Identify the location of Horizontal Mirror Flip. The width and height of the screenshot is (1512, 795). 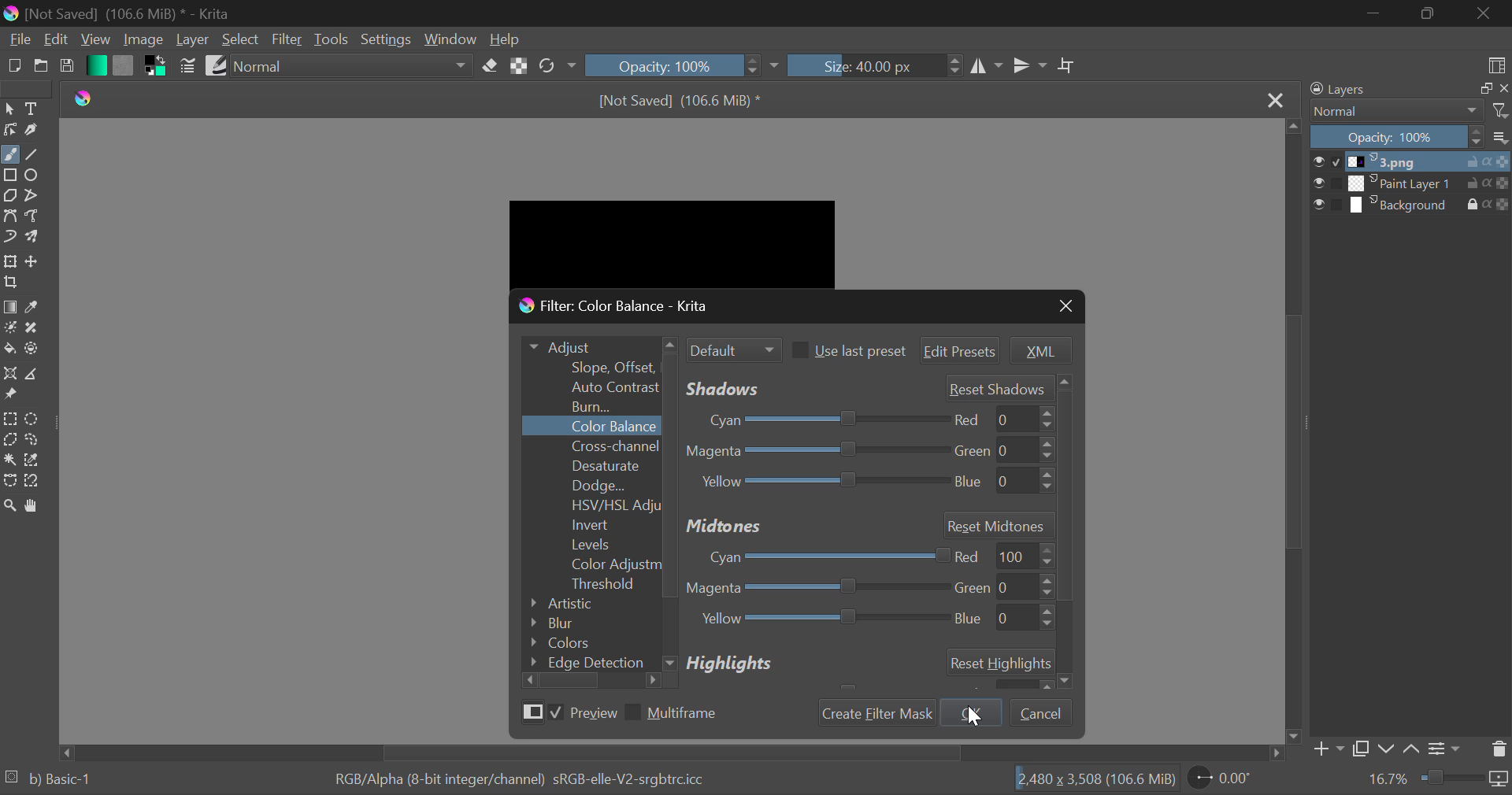
(1030, 65).